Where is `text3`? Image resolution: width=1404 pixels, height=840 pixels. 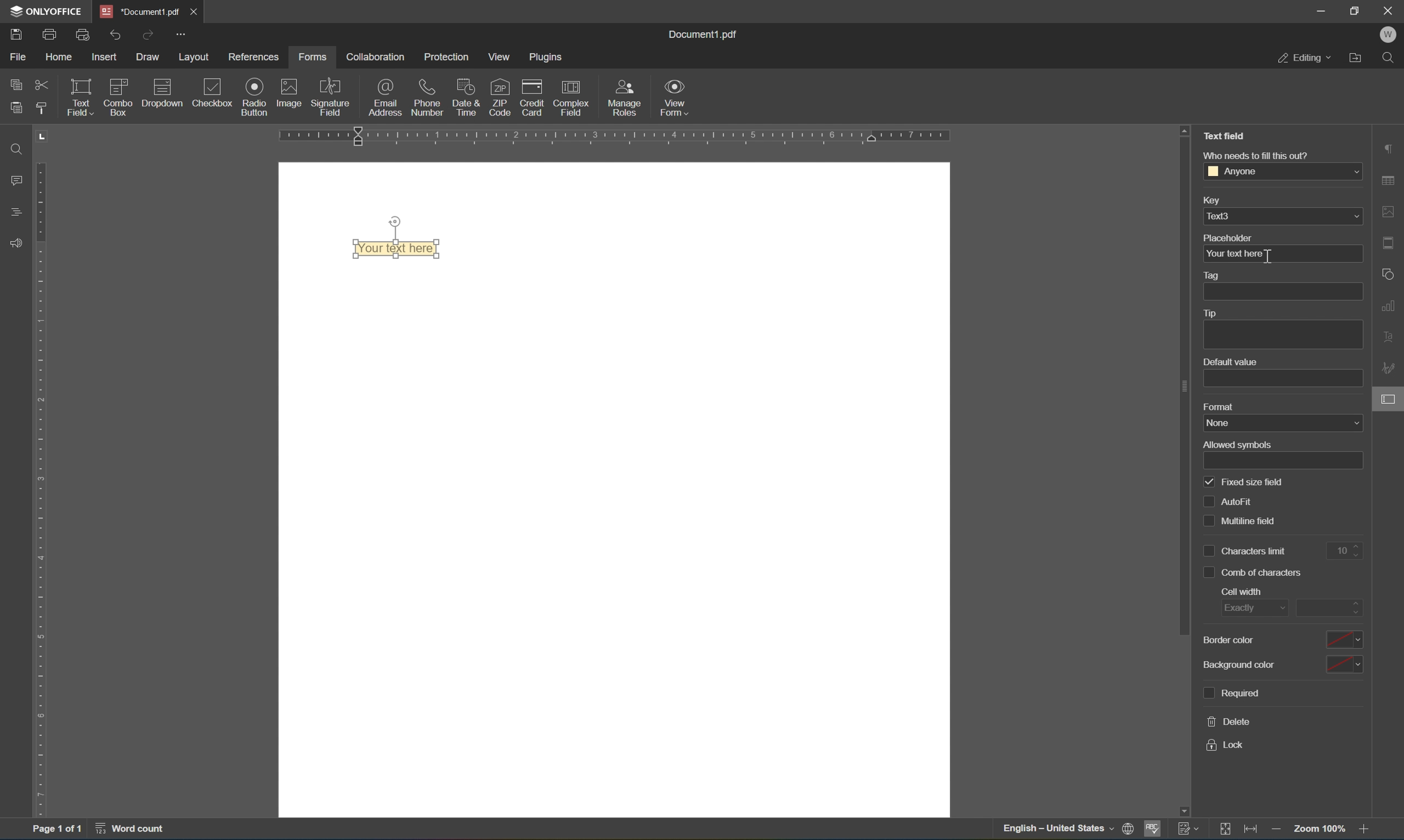 text3 is located at coordinates (1285, 217).